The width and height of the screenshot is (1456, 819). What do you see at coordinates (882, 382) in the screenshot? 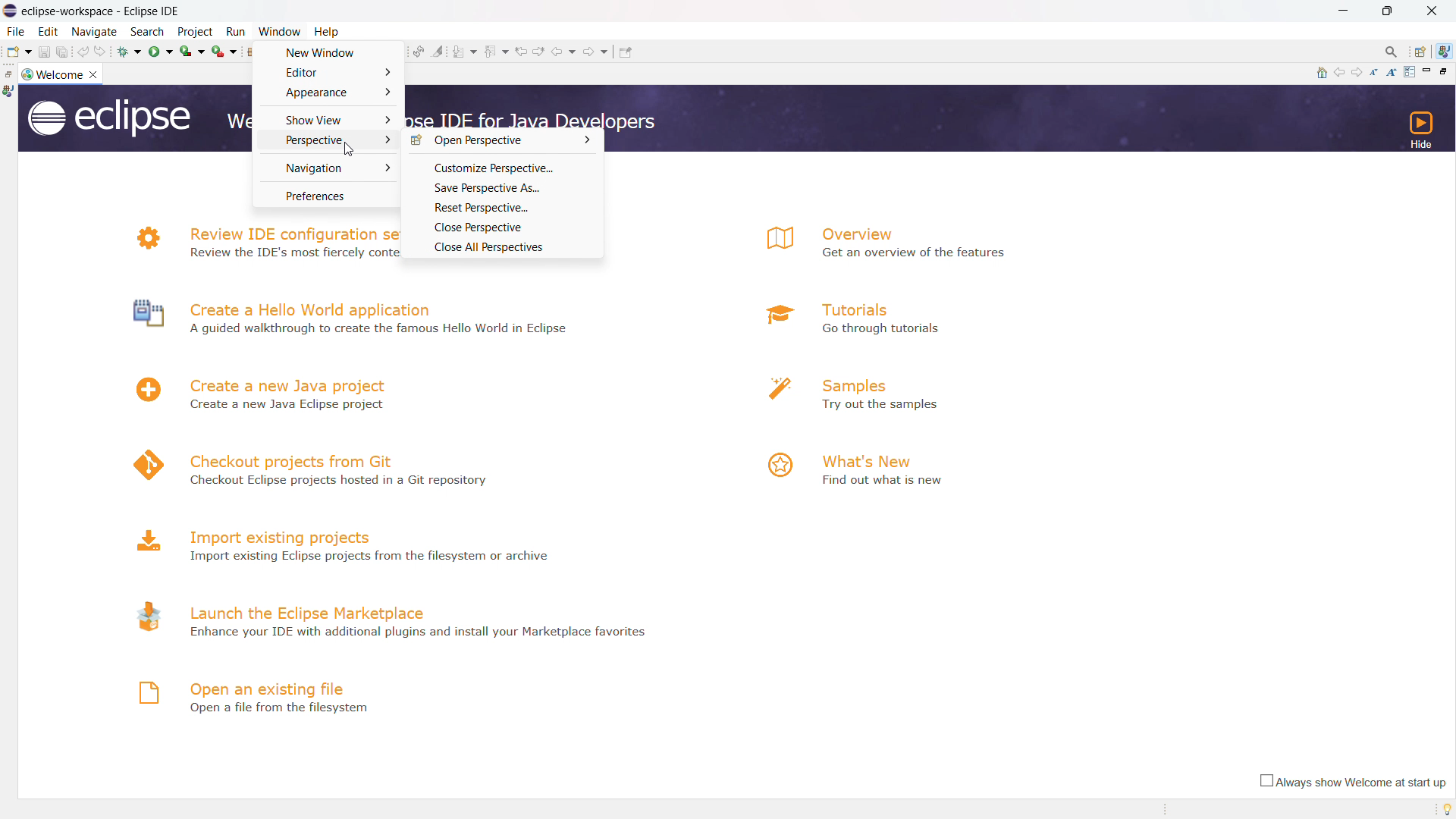
I see `samples` at bounding box center [882, 382].